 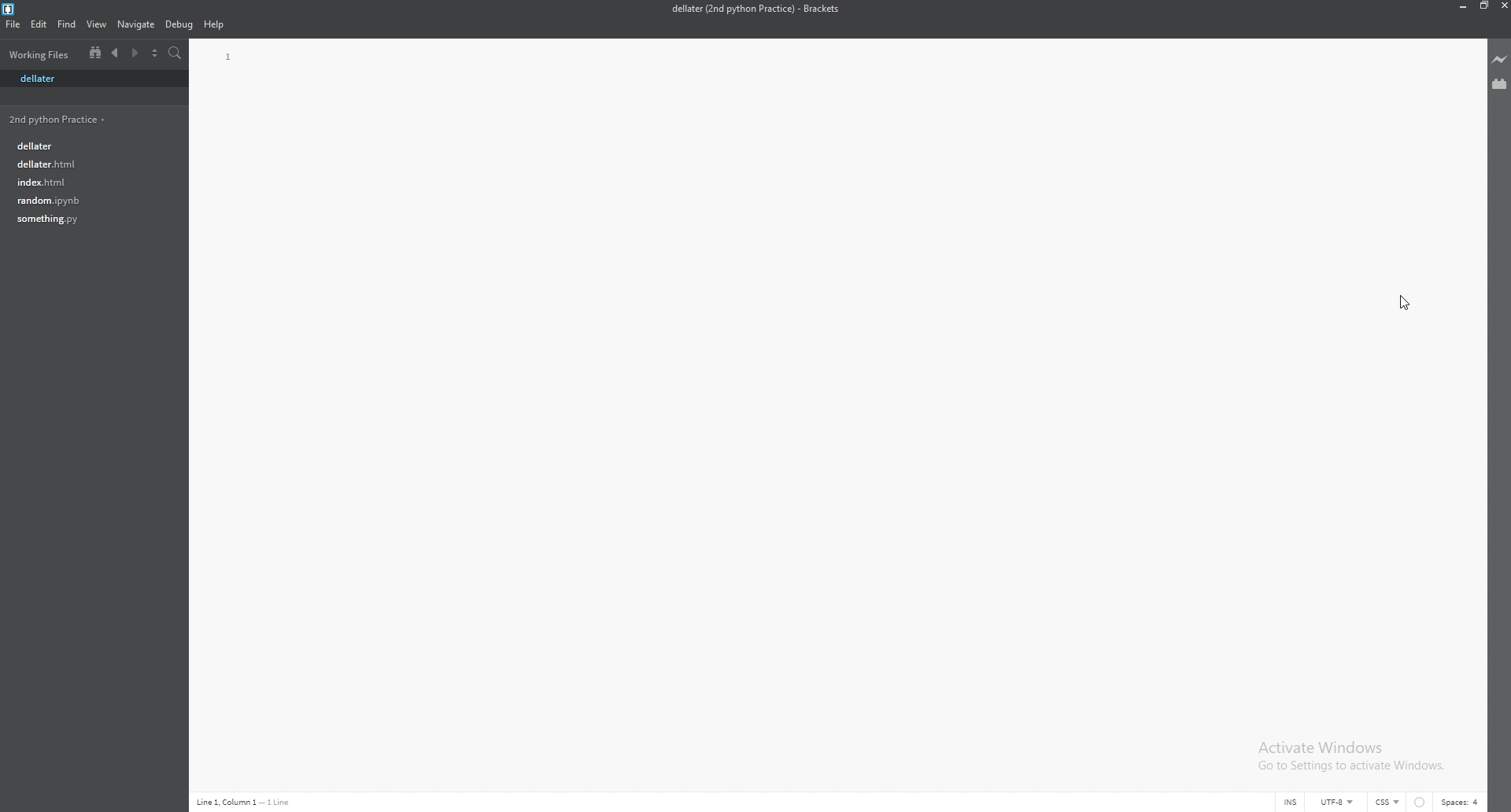 I want to click on help, so click(x=215, y=25).